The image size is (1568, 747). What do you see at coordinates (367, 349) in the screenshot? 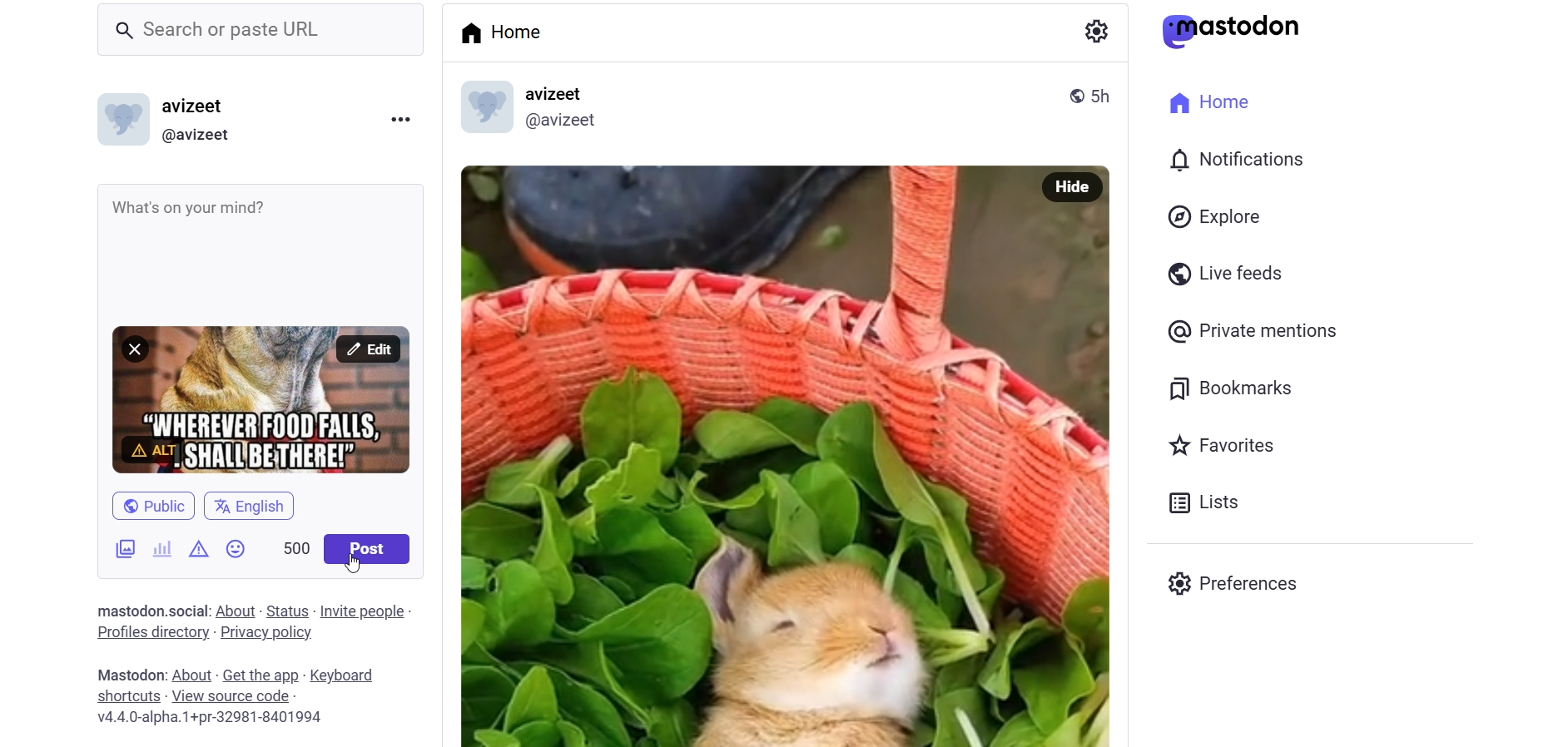
I see `edit` at bounding box center [367, 349].